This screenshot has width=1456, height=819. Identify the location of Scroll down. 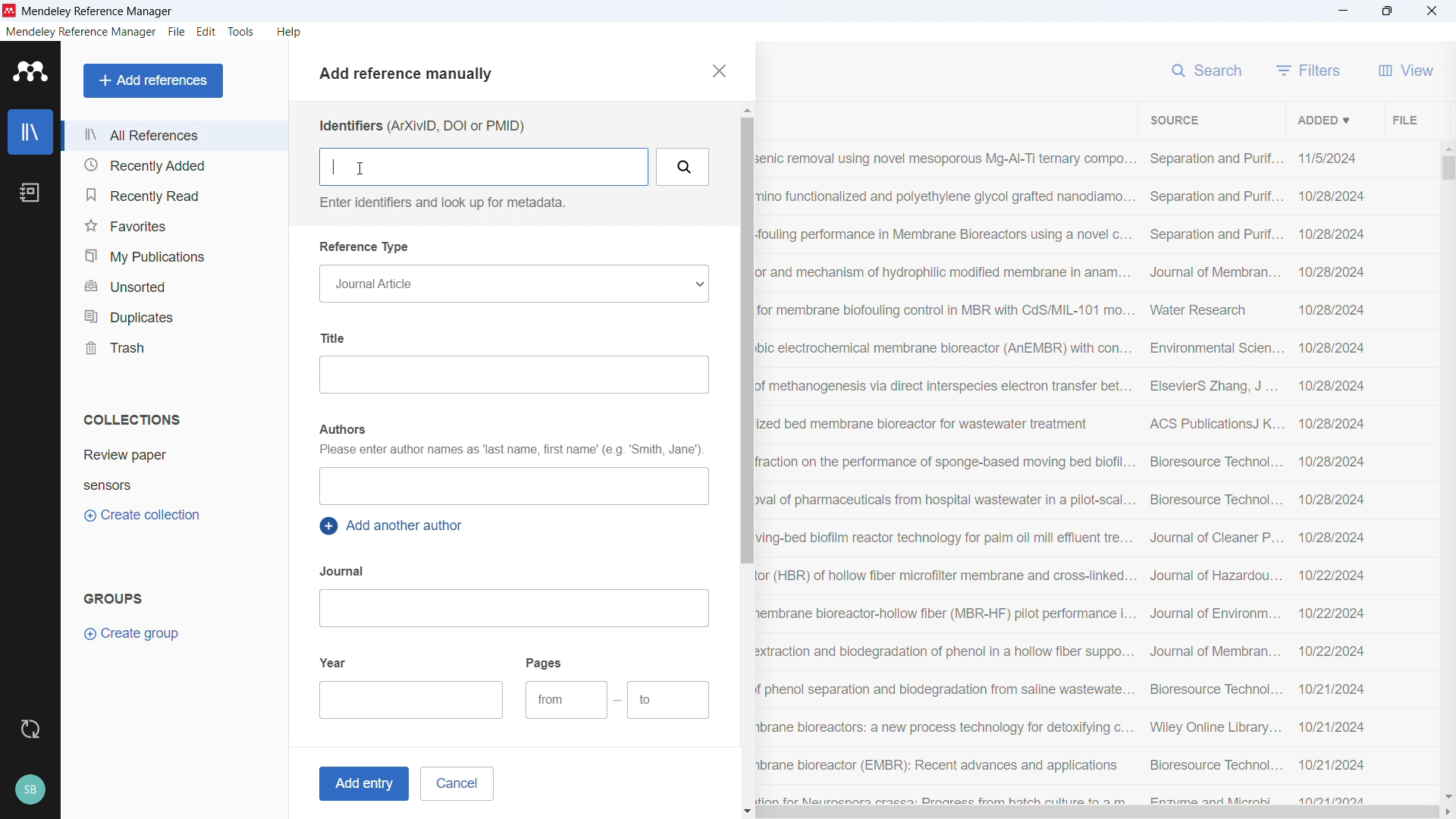
(748, 812).